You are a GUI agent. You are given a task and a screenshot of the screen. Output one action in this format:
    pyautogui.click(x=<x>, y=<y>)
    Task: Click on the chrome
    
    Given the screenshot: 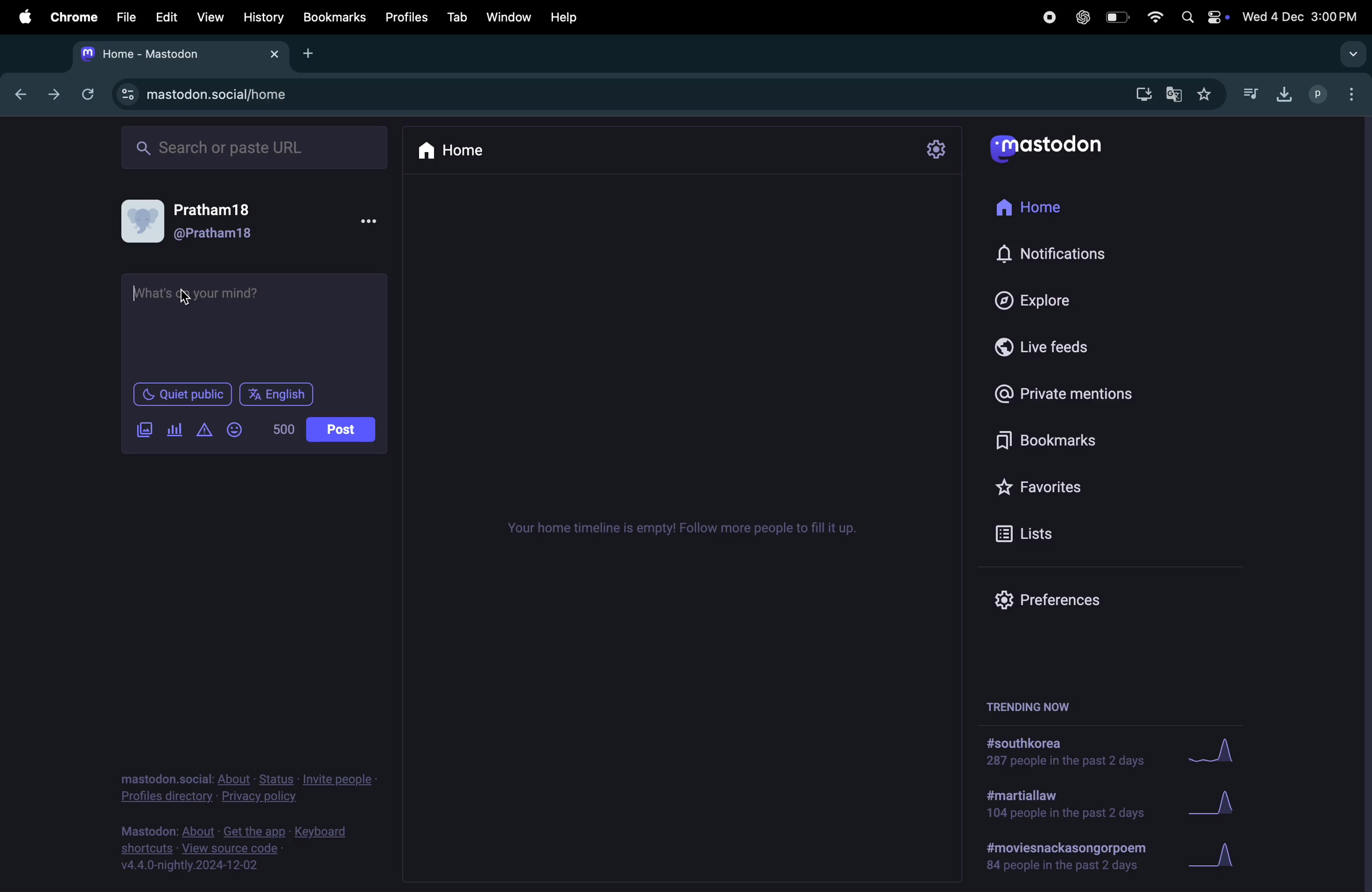 What is the action you would take?
    pyautogui.click(x=70, y=19)
    